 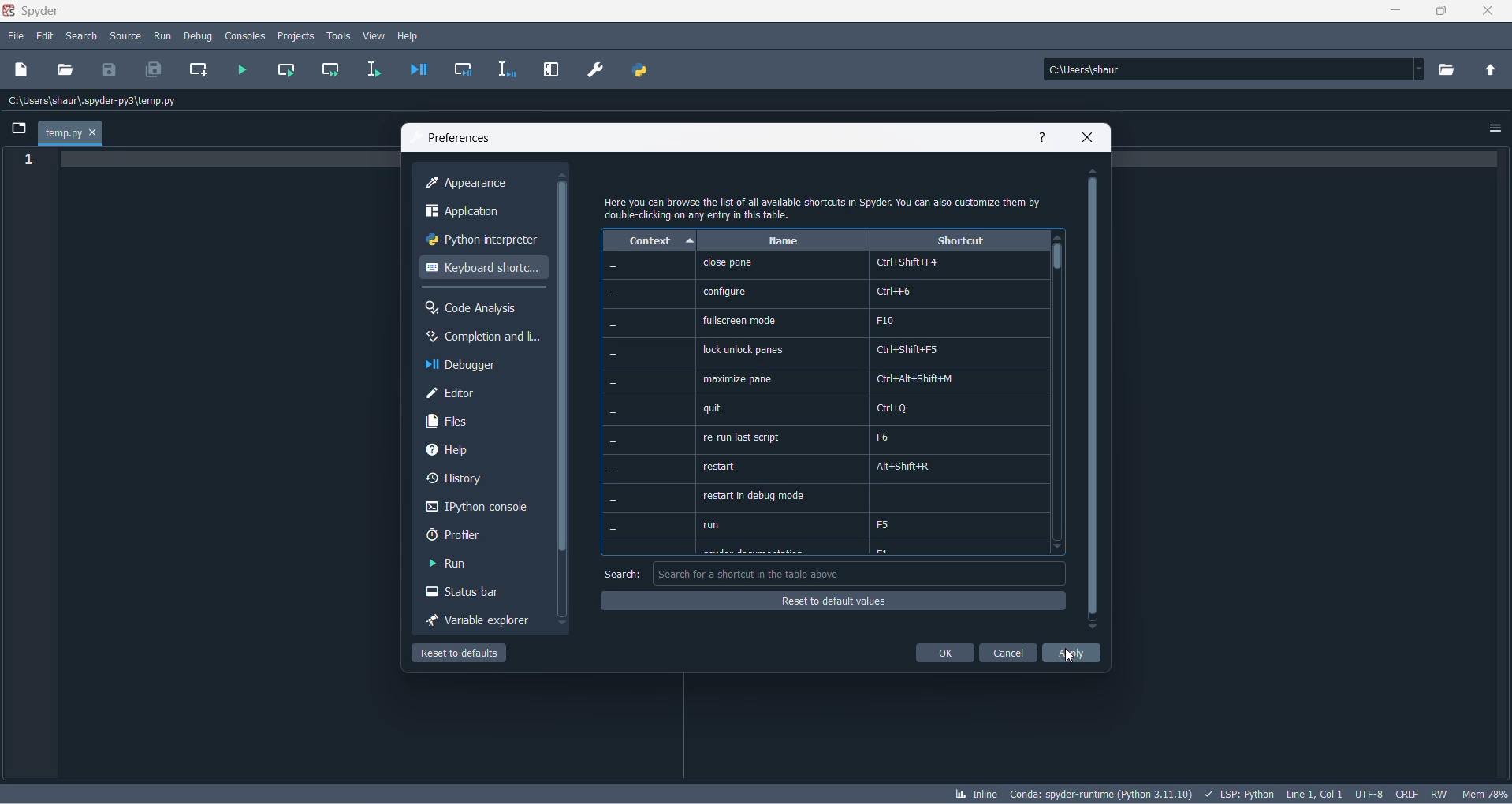 What do you see at coordinates (945, 653) in the screenshot?
I see `ok` at bounding box center [945, 653].